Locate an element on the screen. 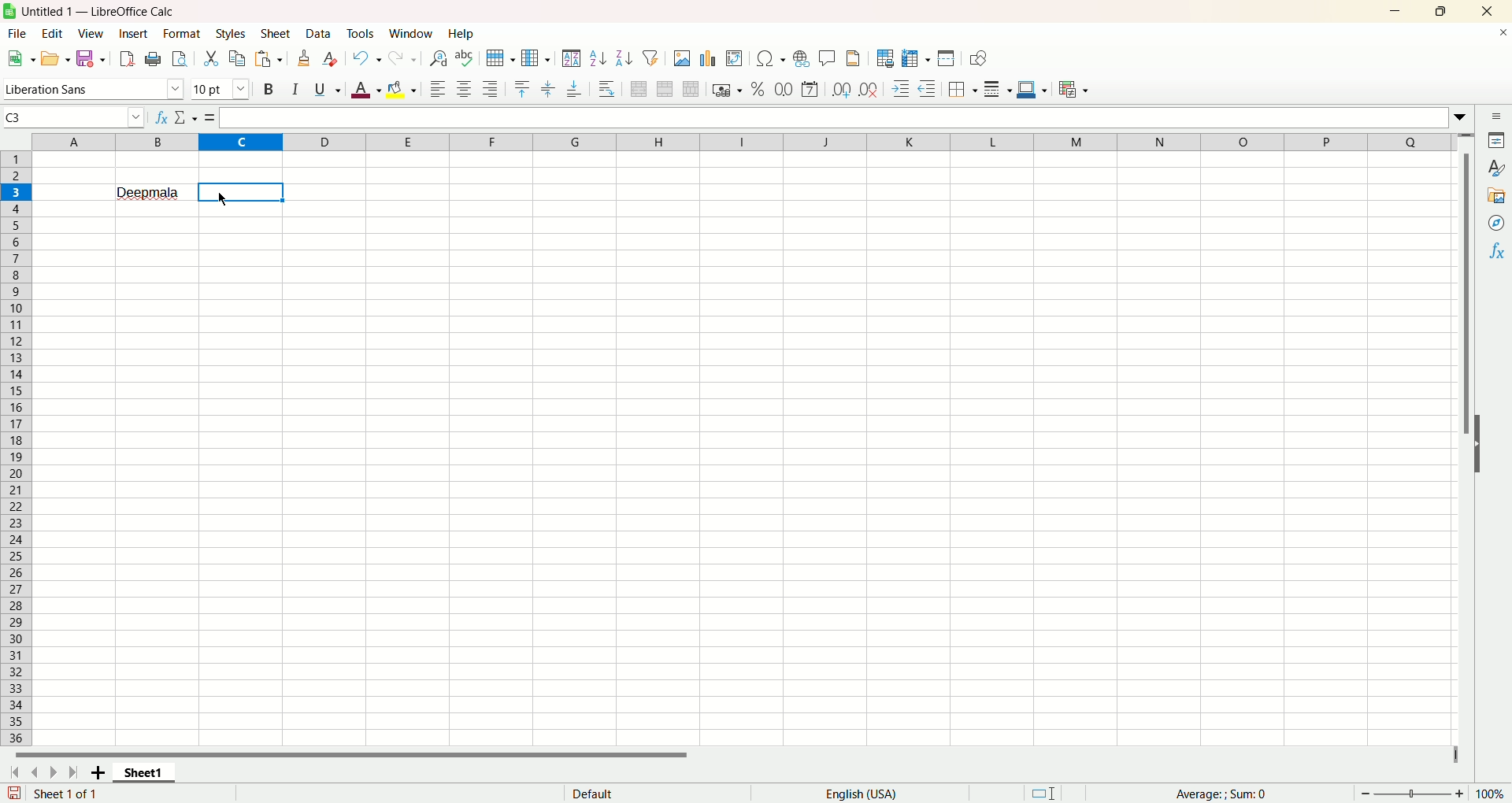 The width and height of the screenshot is (1512, 803). Conditional formatting is located at coordinates (1074, 90).